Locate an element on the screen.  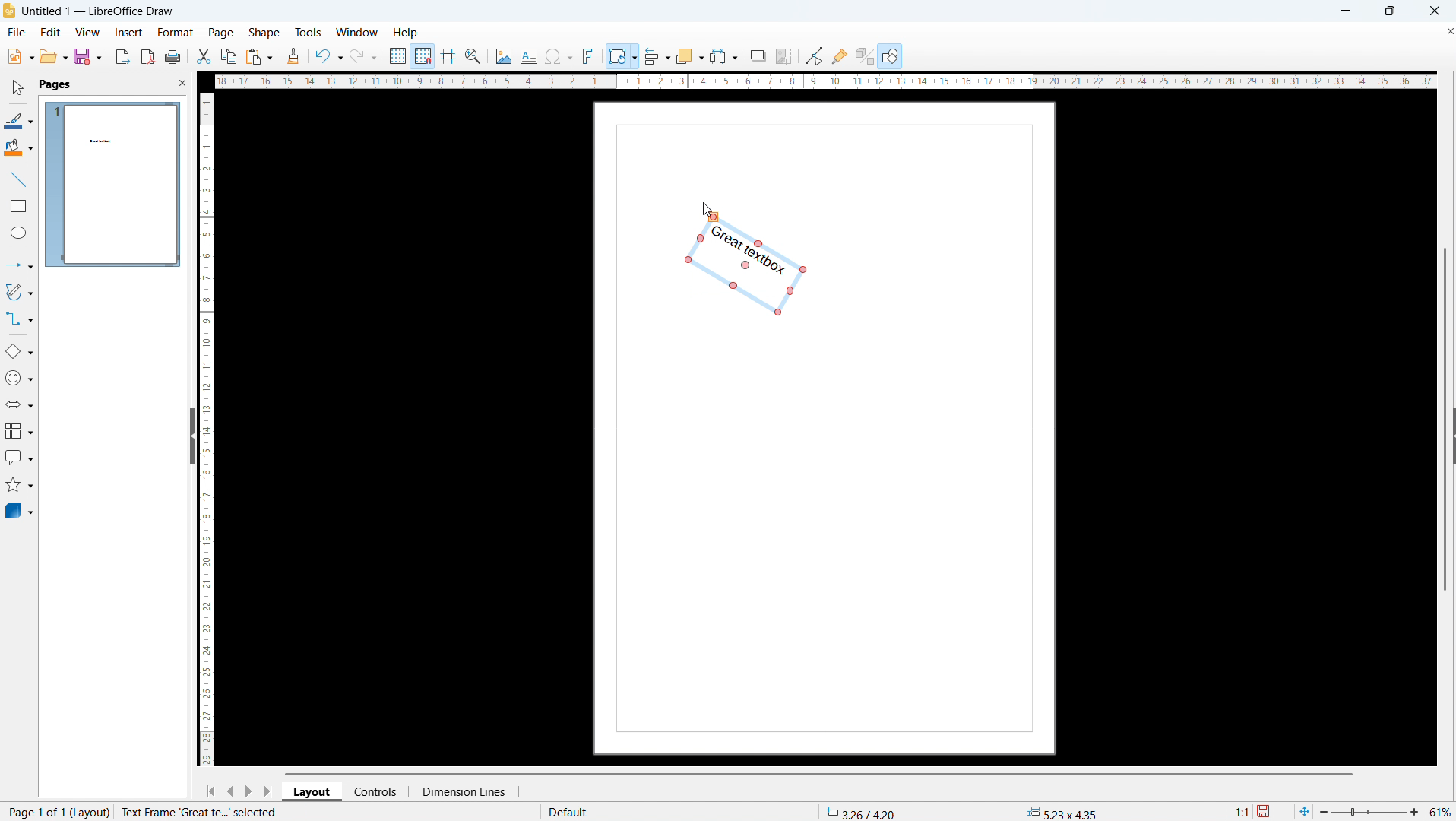
snap to grid is located at coordinates (423, 55).